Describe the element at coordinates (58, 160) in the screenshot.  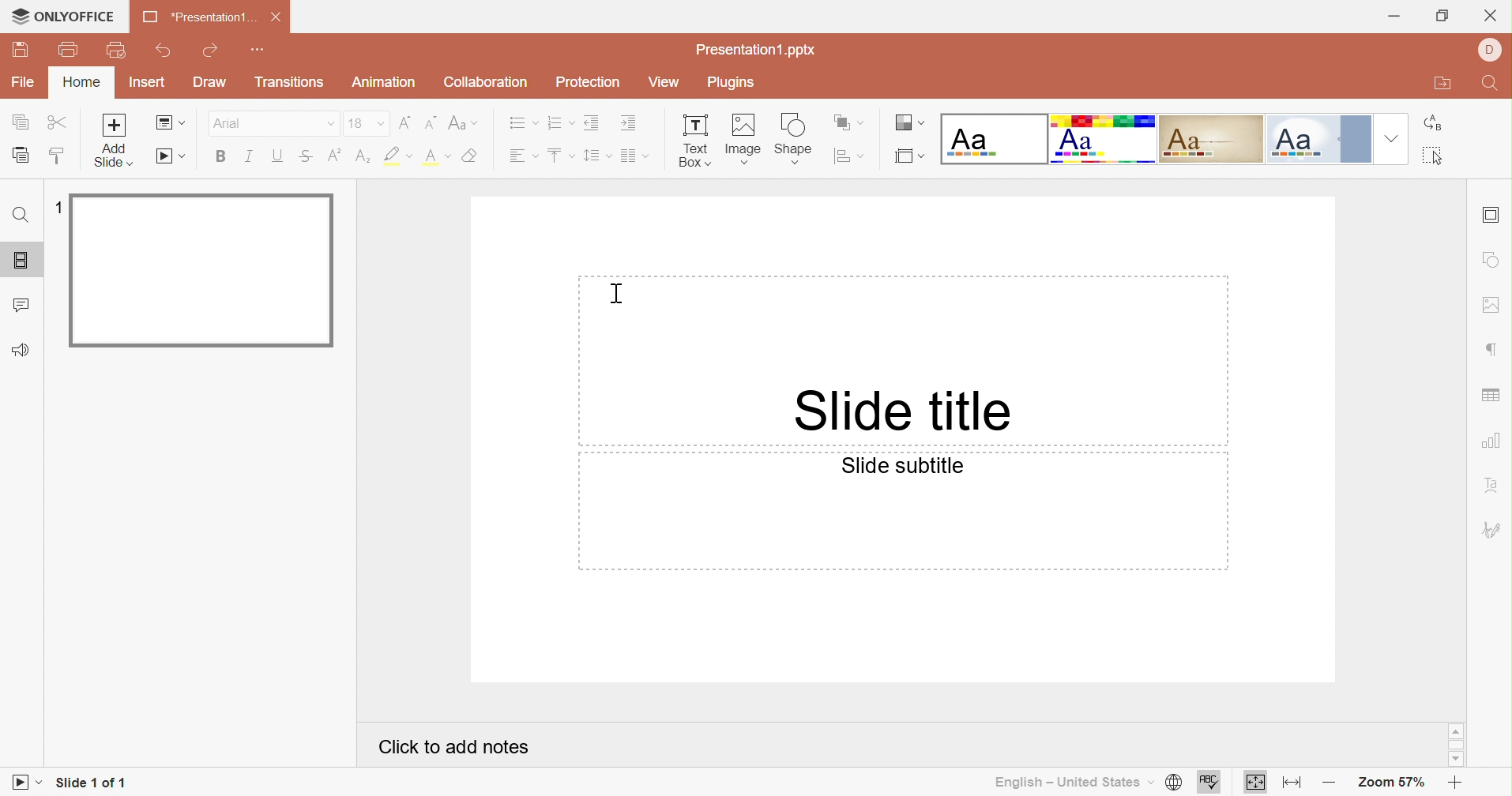
I see `Copy style` at that location.